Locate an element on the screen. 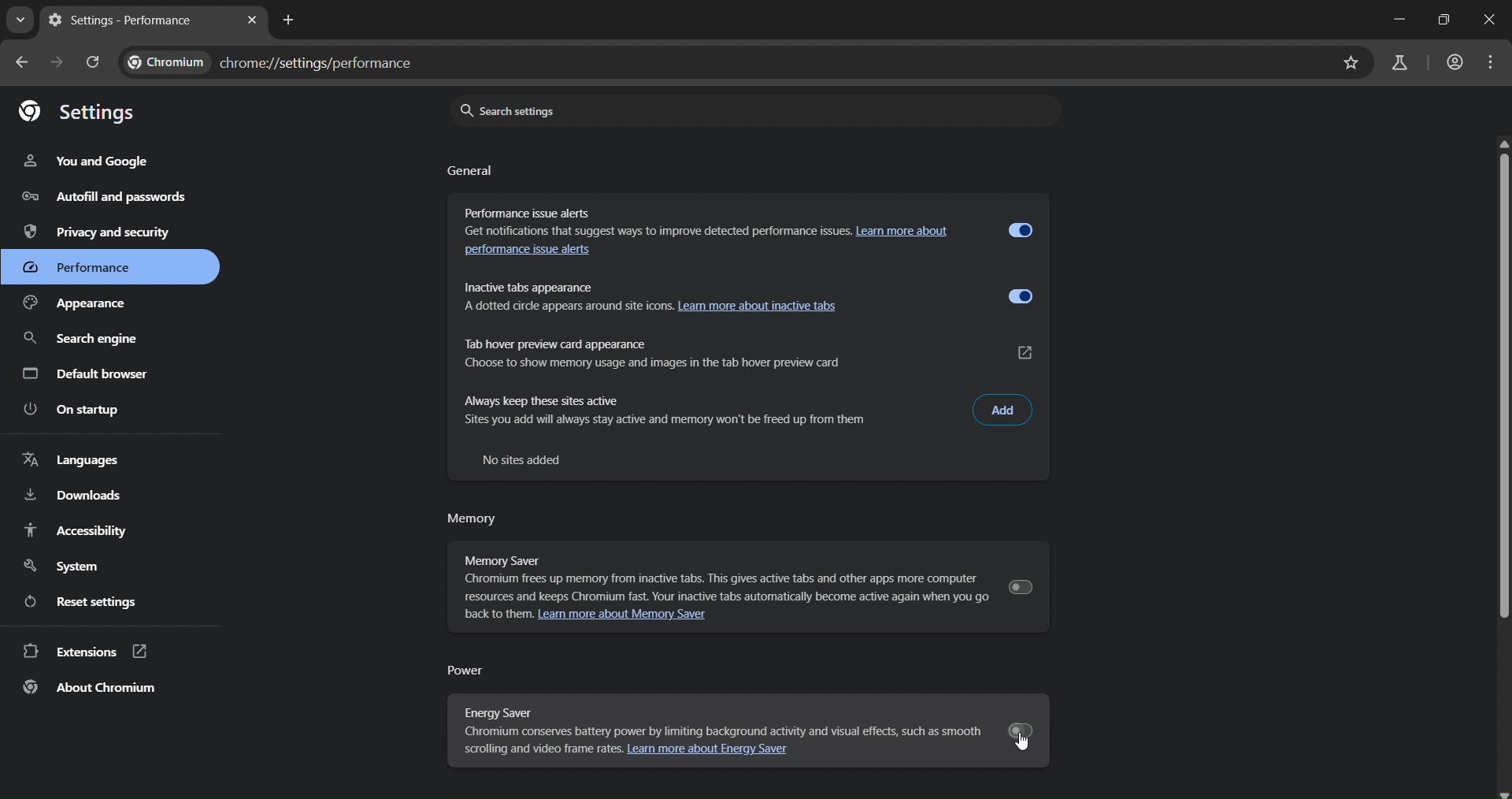  on startup is located at coordinates (75, 409).